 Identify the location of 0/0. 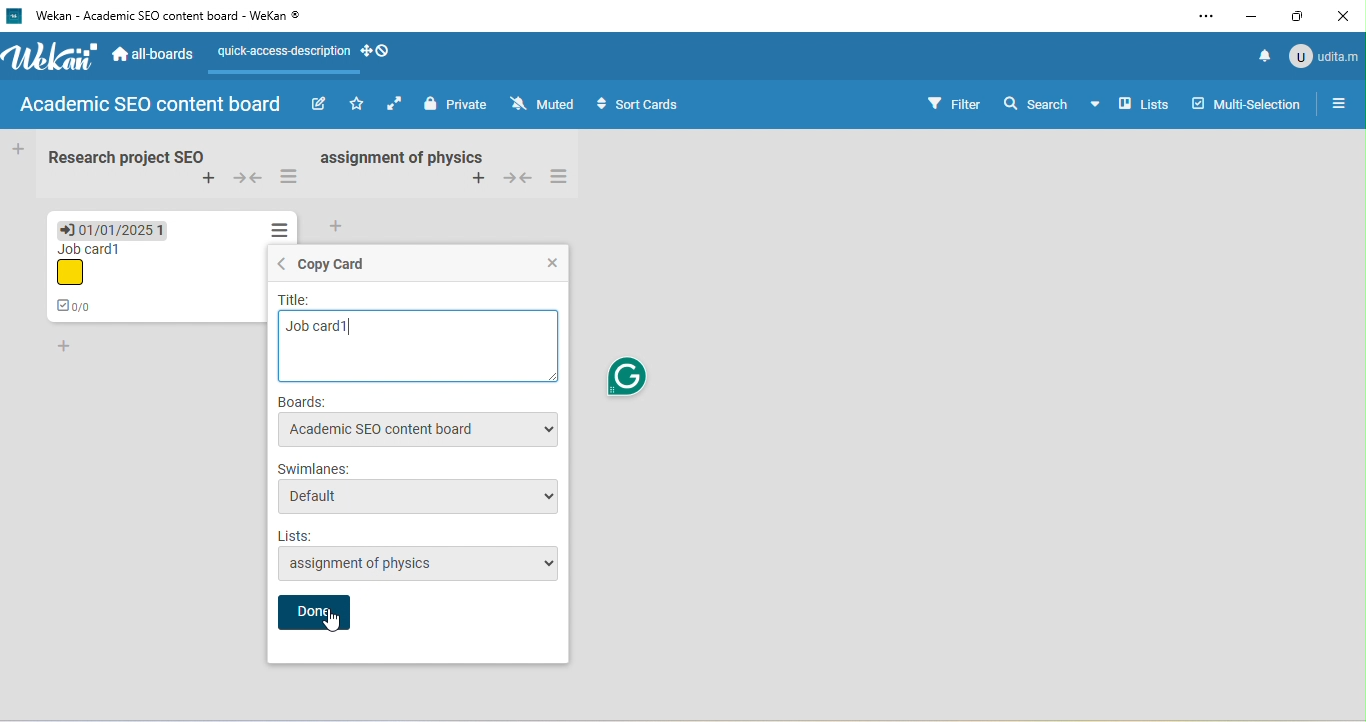
(81, 307).